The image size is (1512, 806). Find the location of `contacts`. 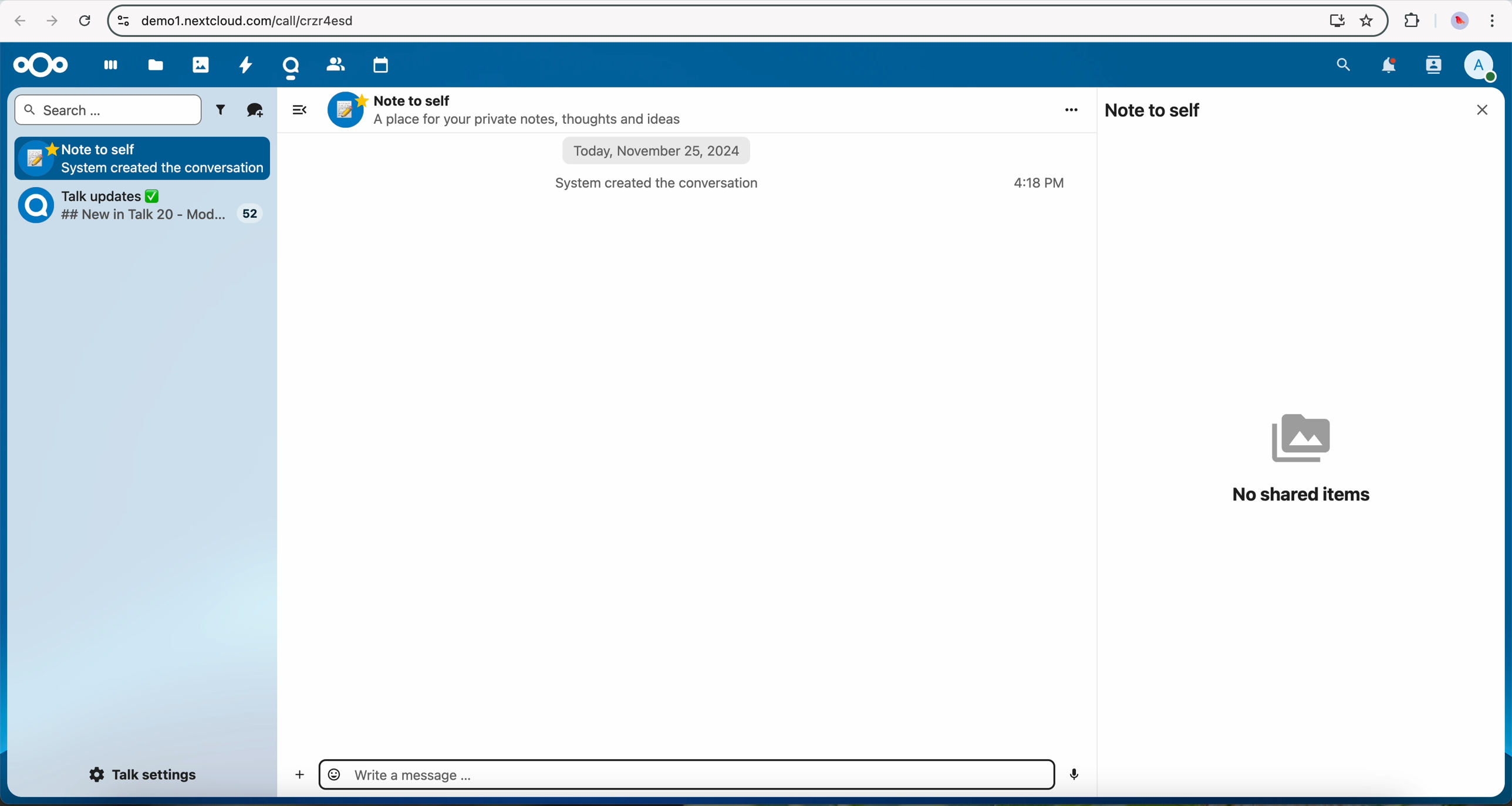

contacts is located at coordinates (335, 63).